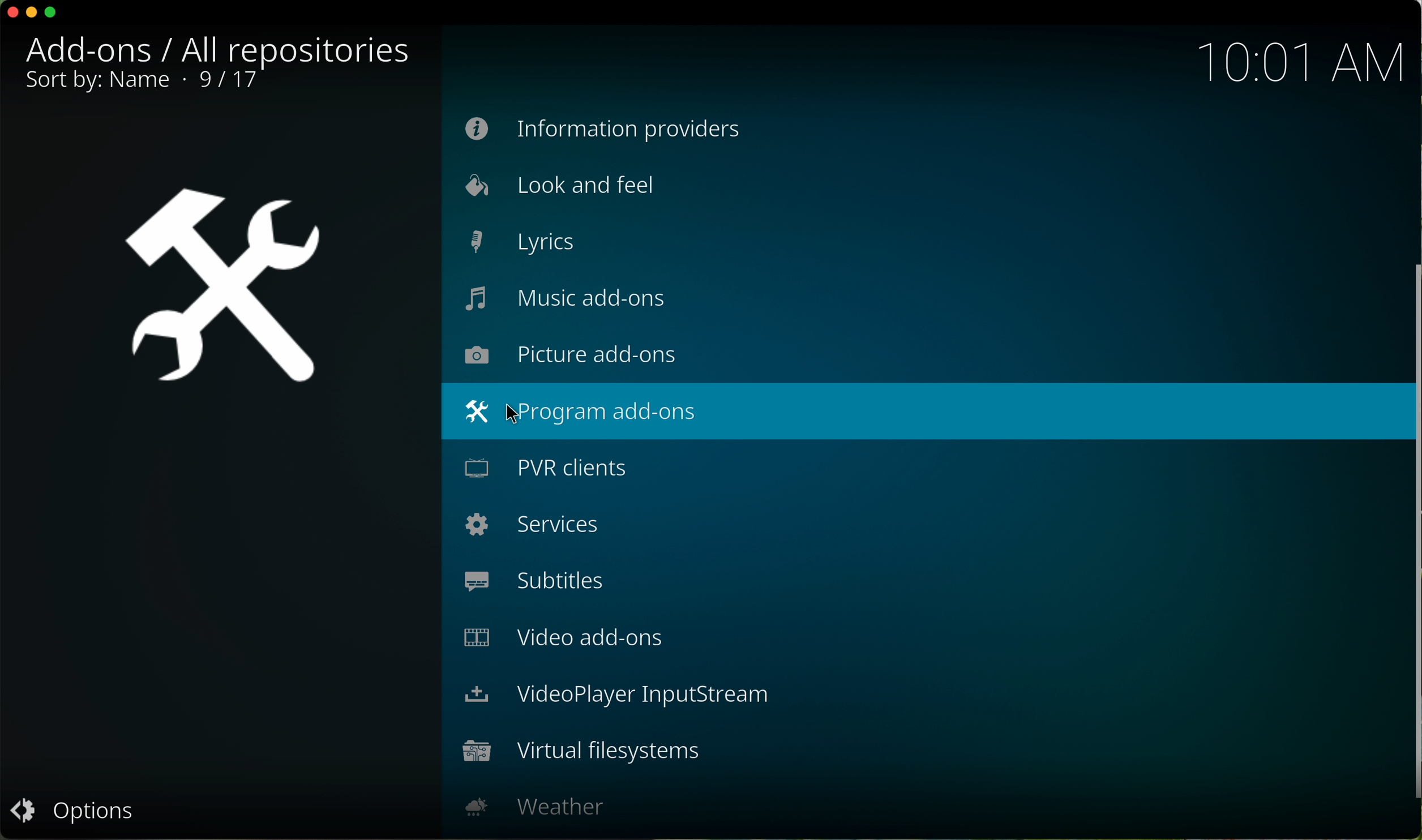 The image size is (1422, 840). What do you see at coordinates (1413, 538) in the screenshot?
I see `scroll bar` at bounding box center [1413, 538].